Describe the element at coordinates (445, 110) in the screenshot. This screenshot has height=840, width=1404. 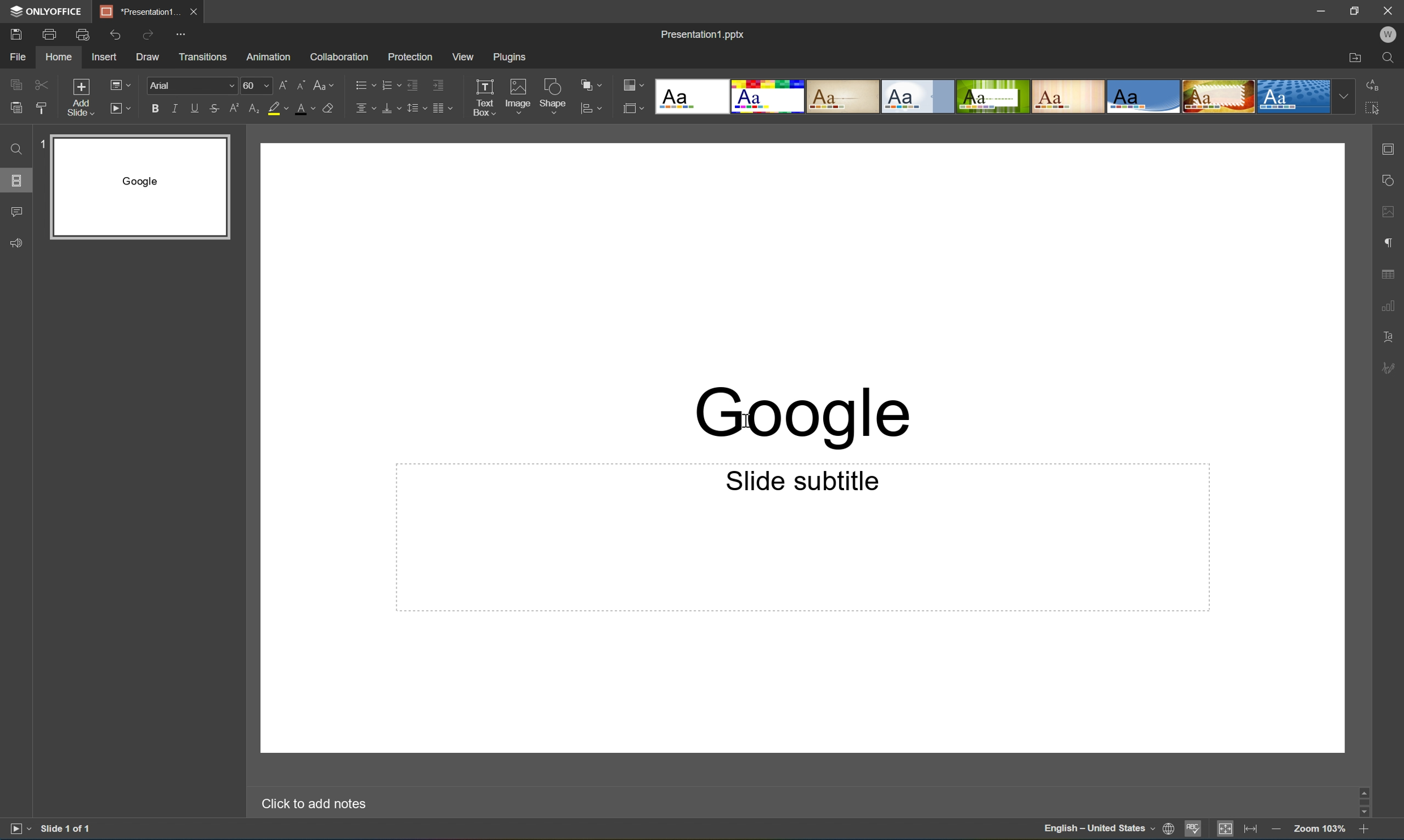
I see `Decrease indent` at that location.